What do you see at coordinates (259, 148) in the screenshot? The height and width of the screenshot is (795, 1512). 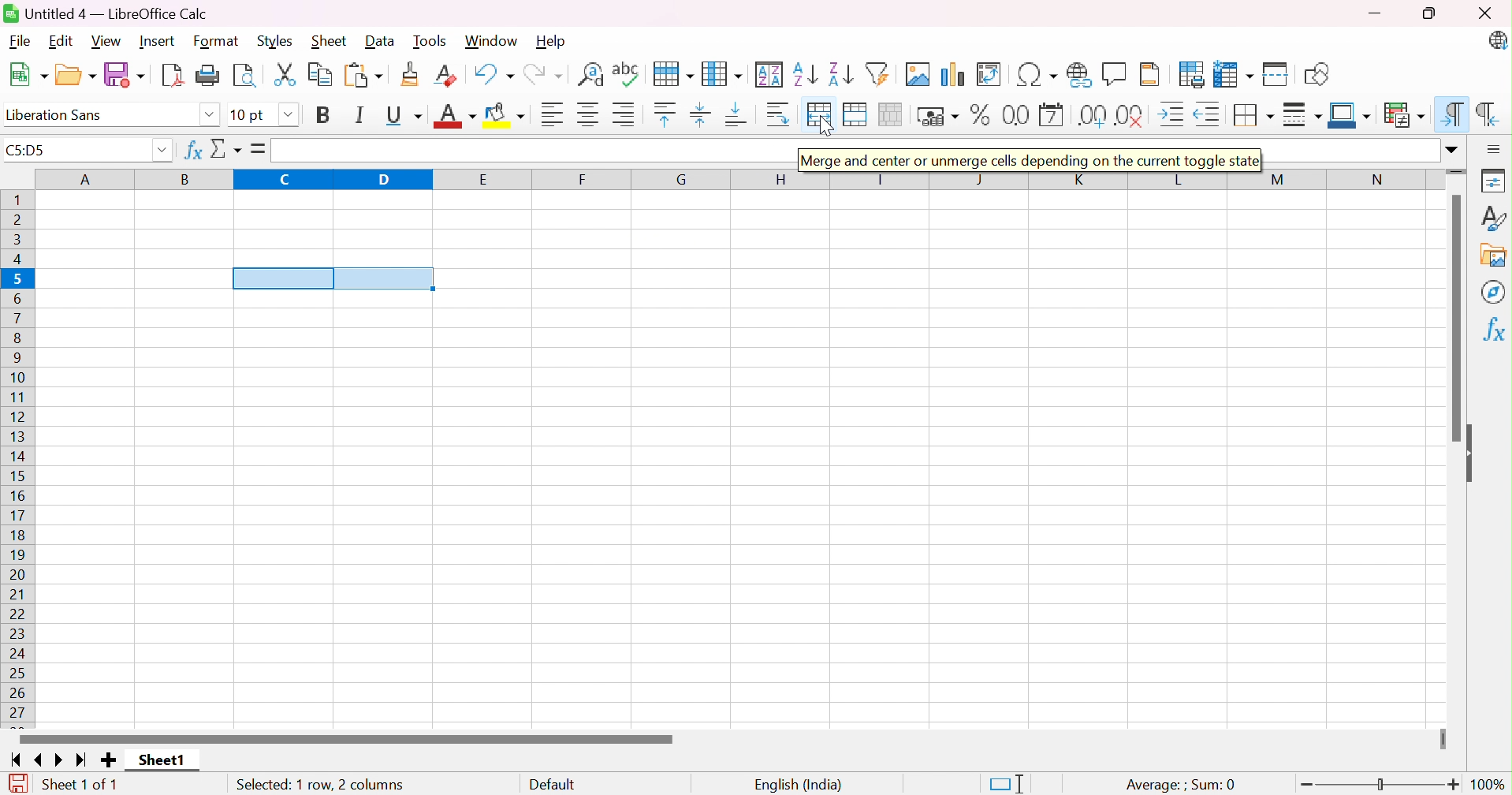 I see `Formula` at bounding box center [259, 148].